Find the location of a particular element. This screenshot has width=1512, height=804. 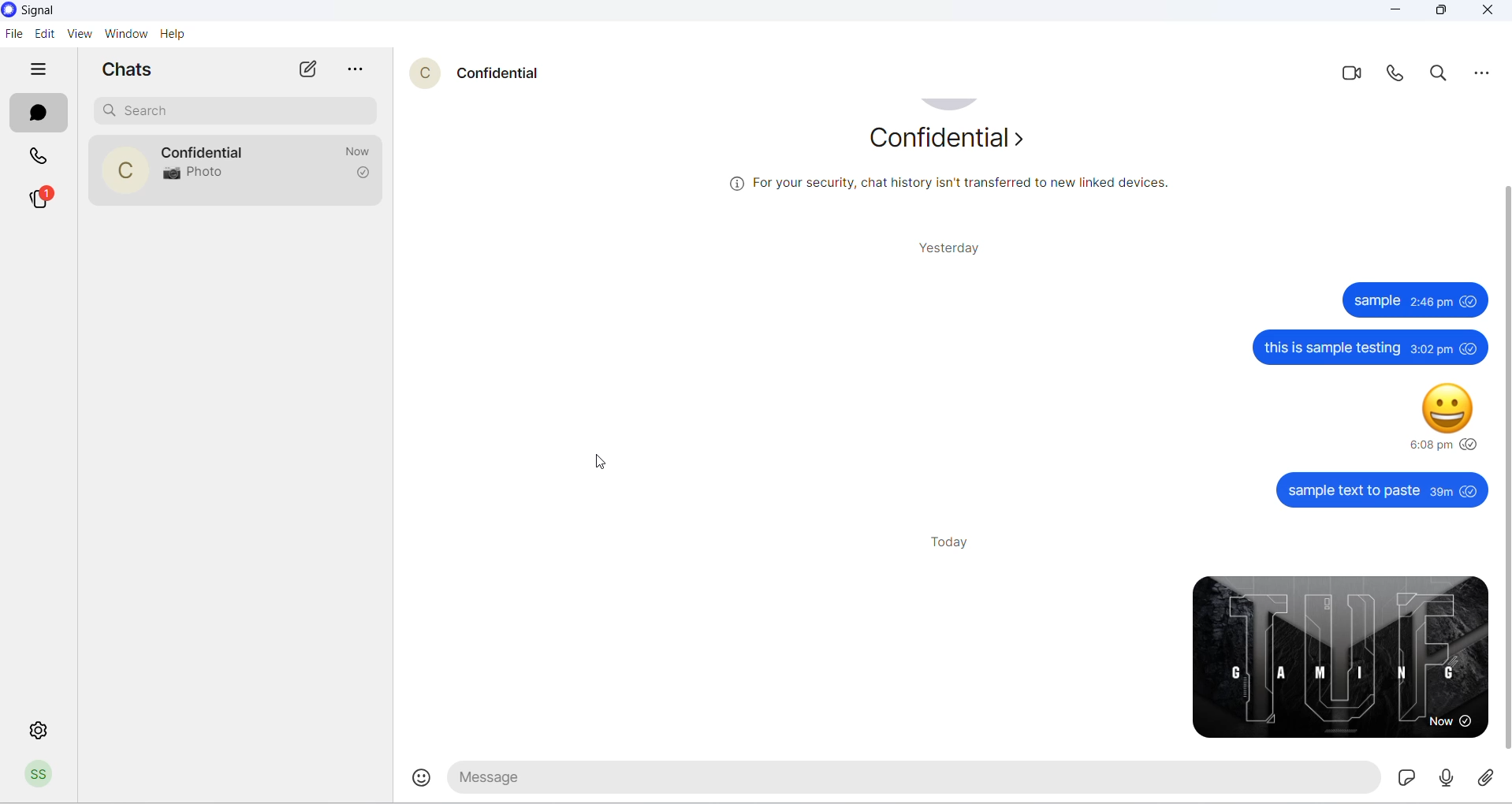

hide is located at coordinates (37, 70).